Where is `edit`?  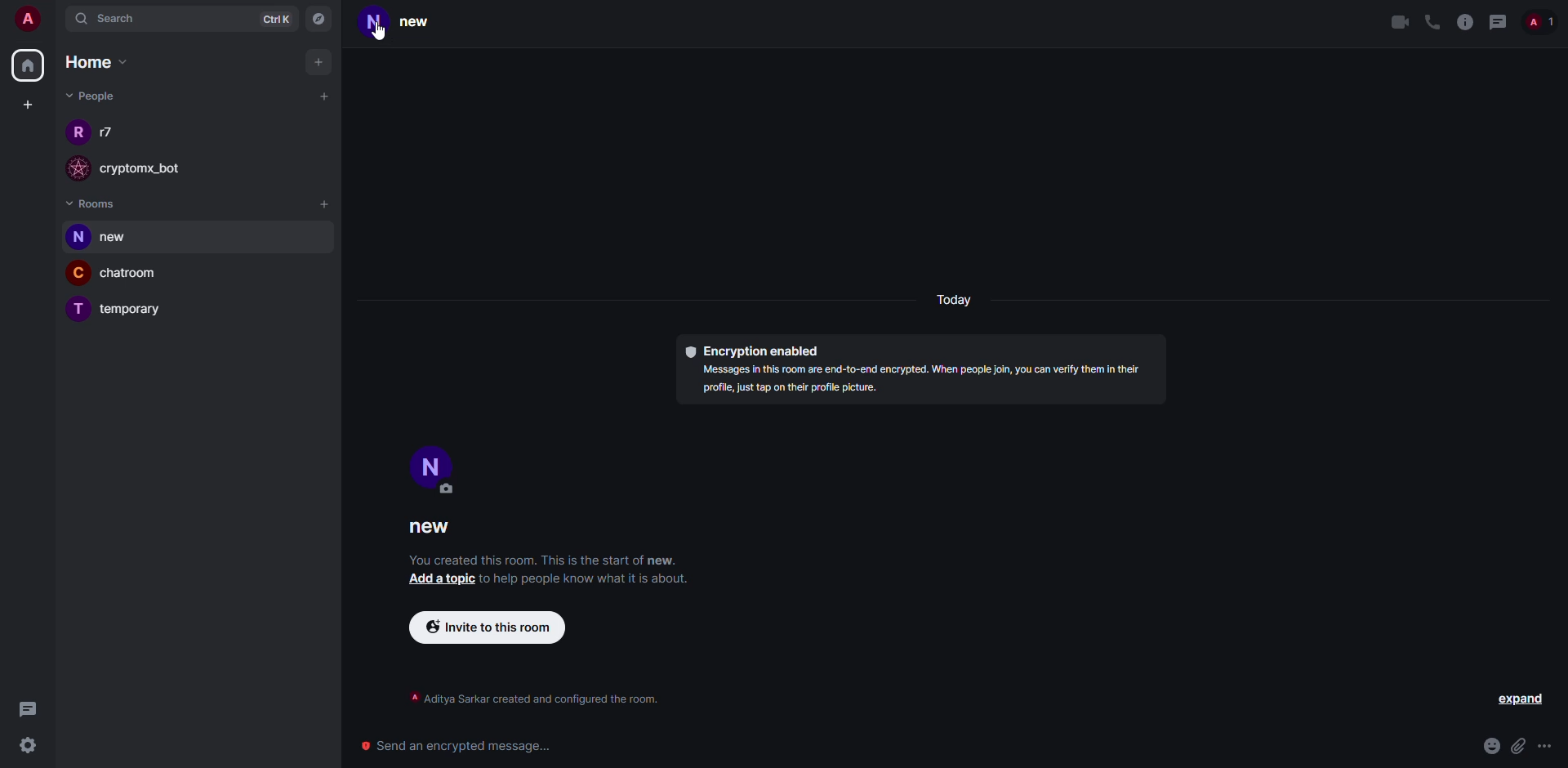
edit is located at coordinates (448, 489).